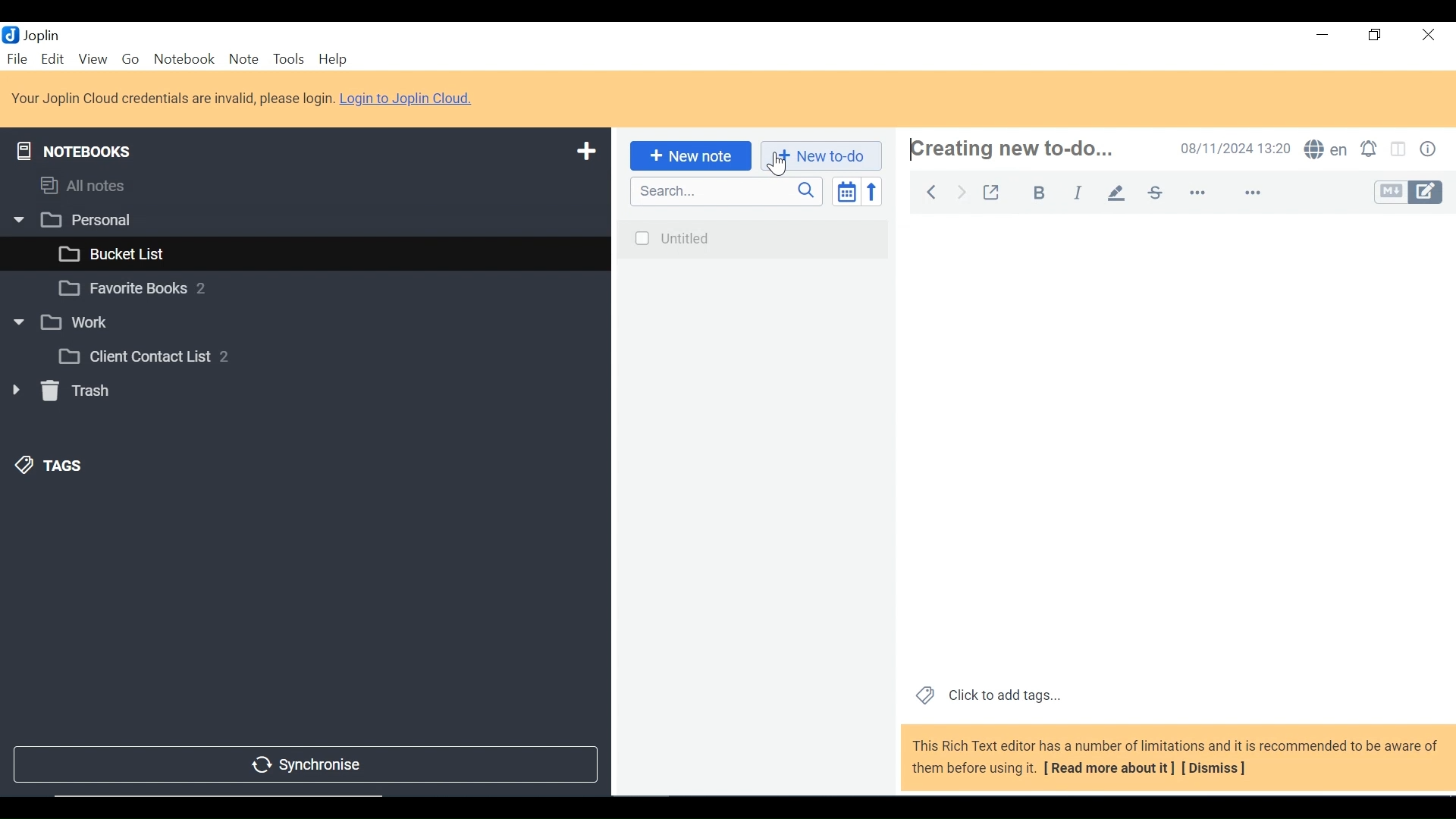  What do you see at coordinates (320, 252) in the screenshot?
I see `Notebook` at bounding box center [320, 252].